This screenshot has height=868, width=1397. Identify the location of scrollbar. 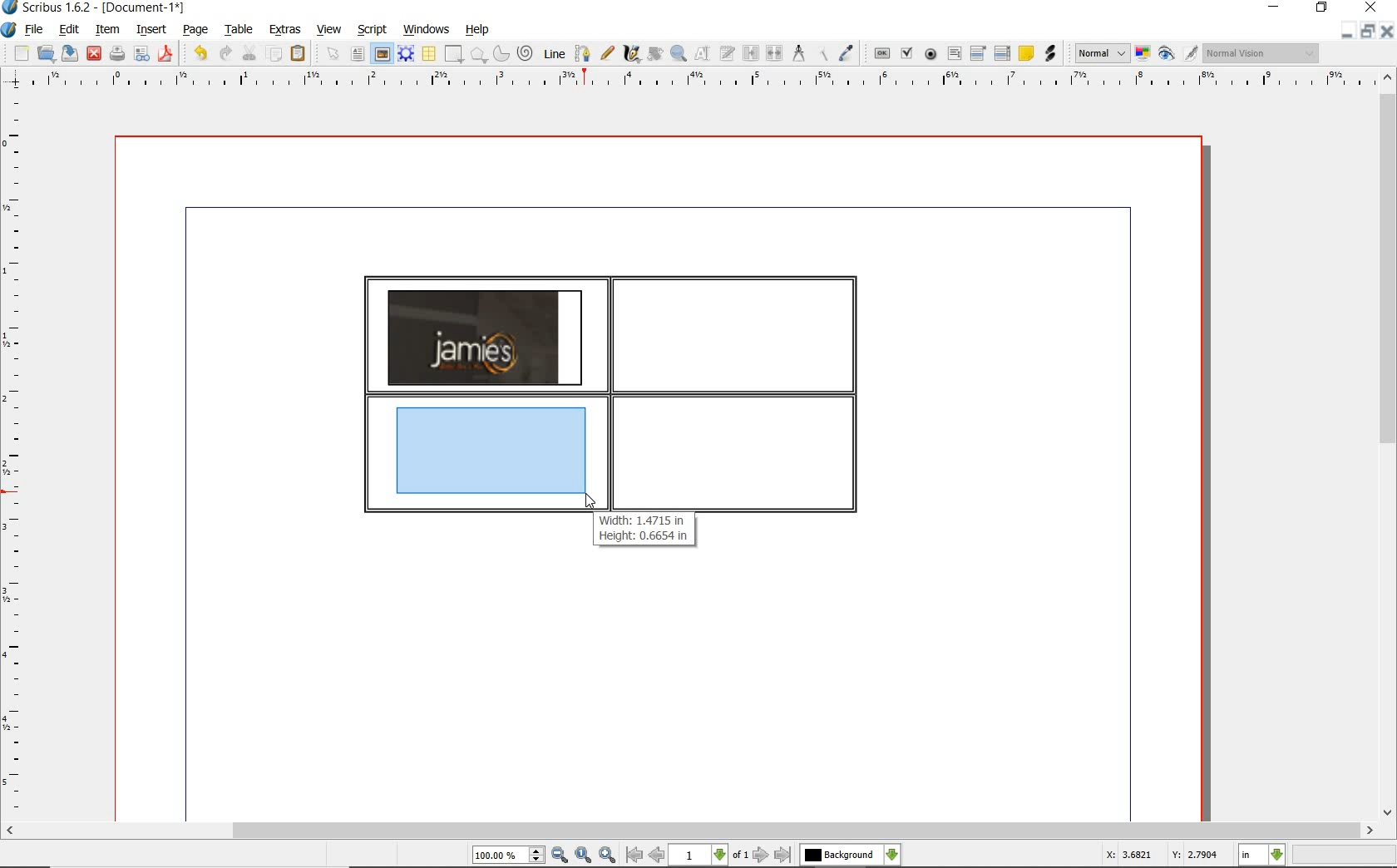
(689, 831).